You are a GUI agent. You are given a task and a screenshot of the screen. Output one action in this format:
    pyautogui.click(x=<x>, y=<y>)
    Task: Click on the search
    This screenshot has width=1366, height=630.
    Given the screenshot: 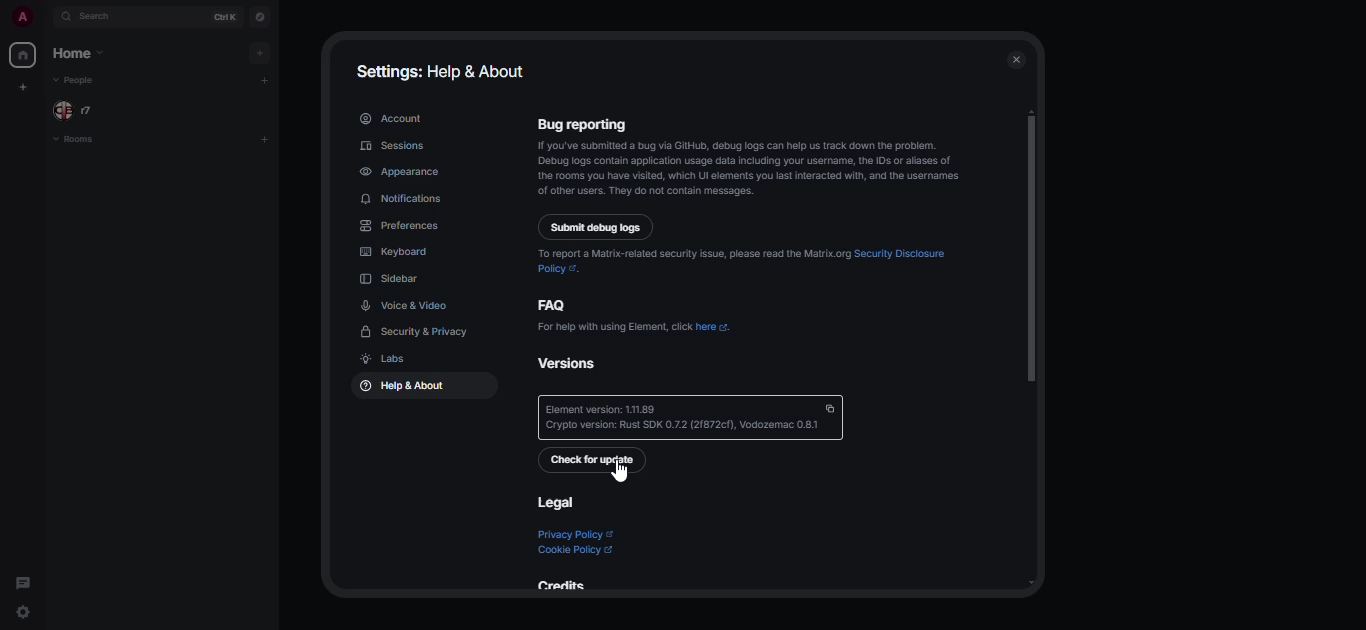 What is the action you would take?
    pyautogui.click(x=95, y=16)
    